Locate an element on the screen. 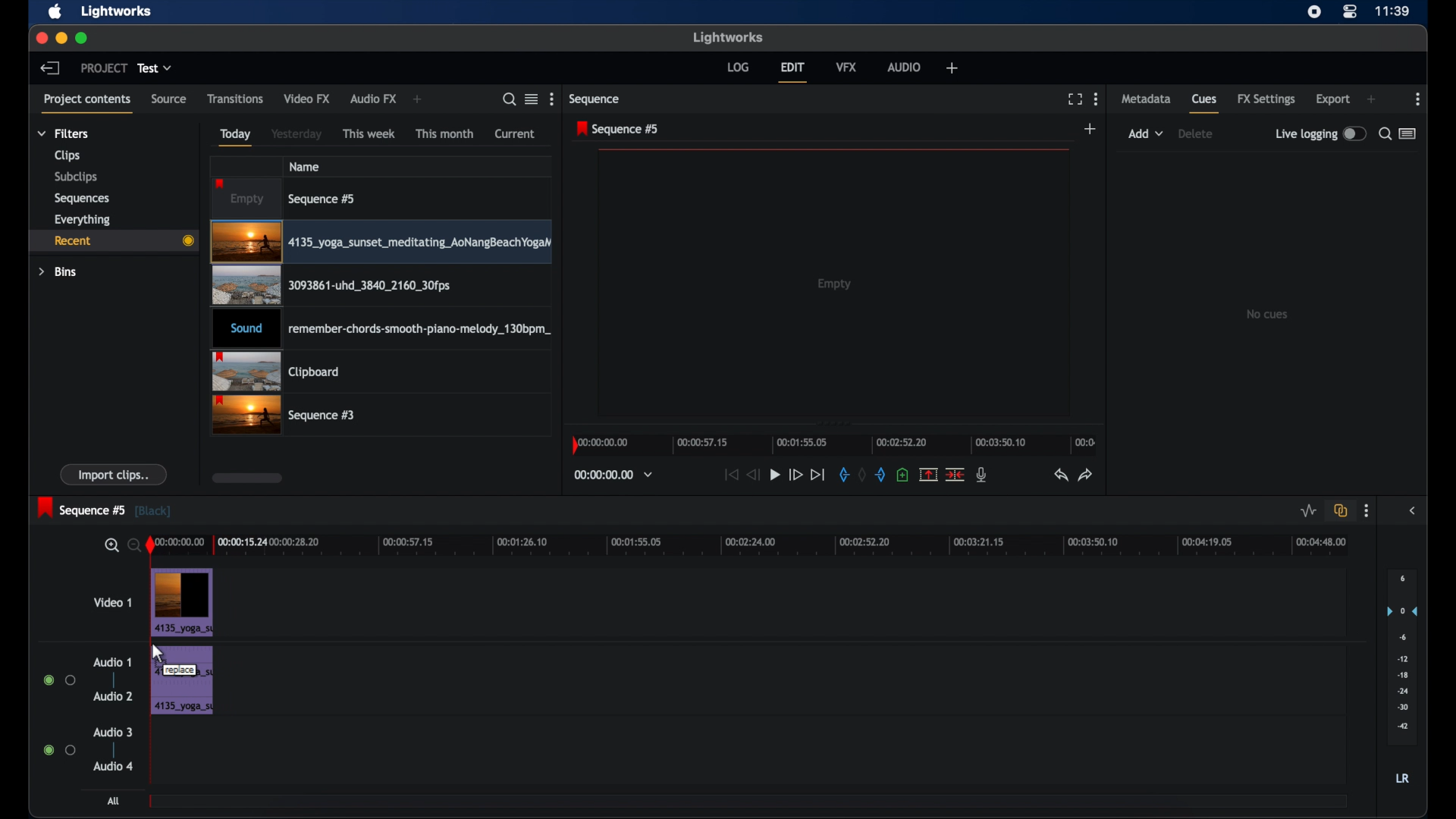  empty is located at coordinates (836, 284).